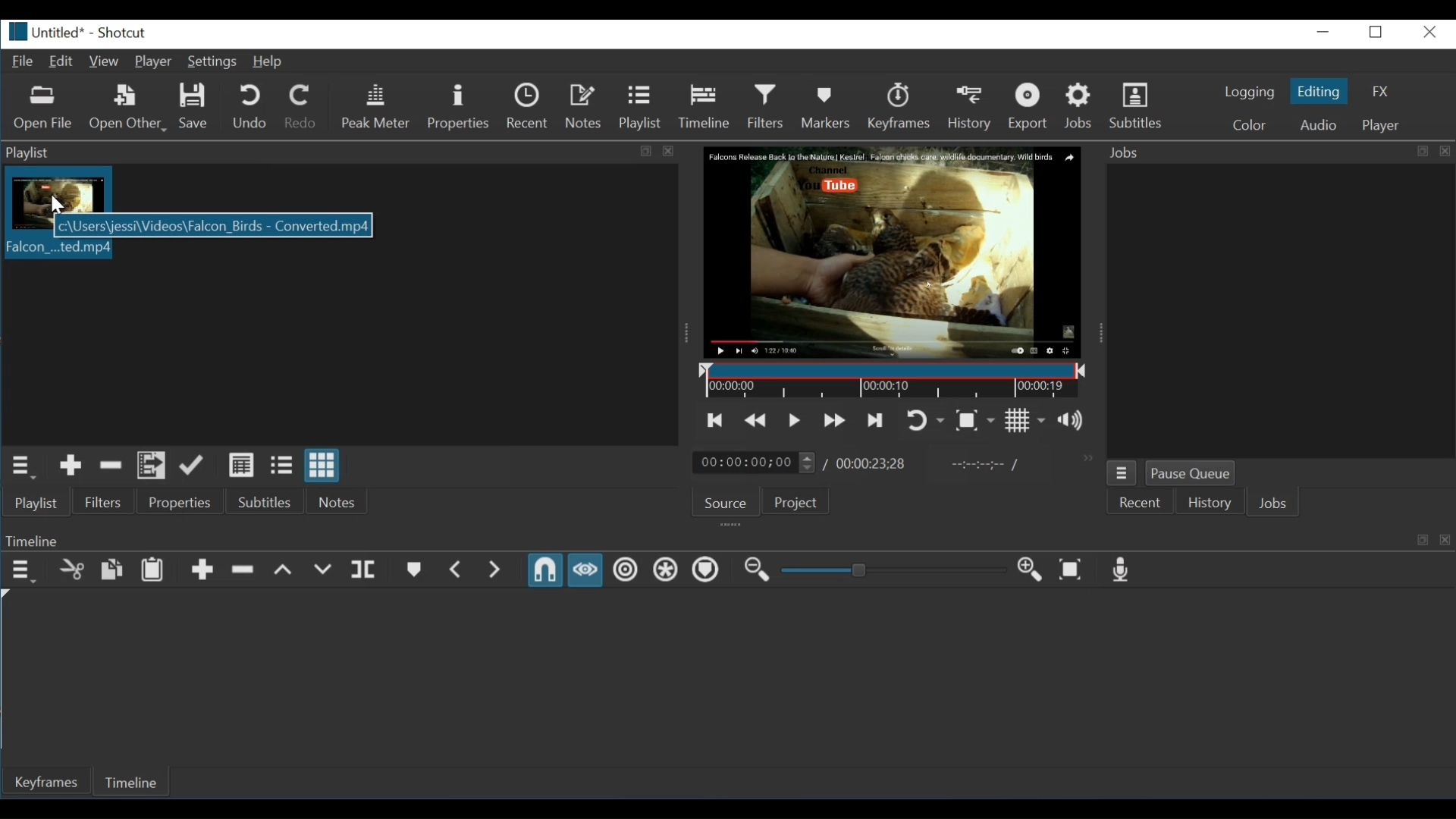  Describe the element at coordinates (212, 61) in the screenshot. I see `Settings` at that location.